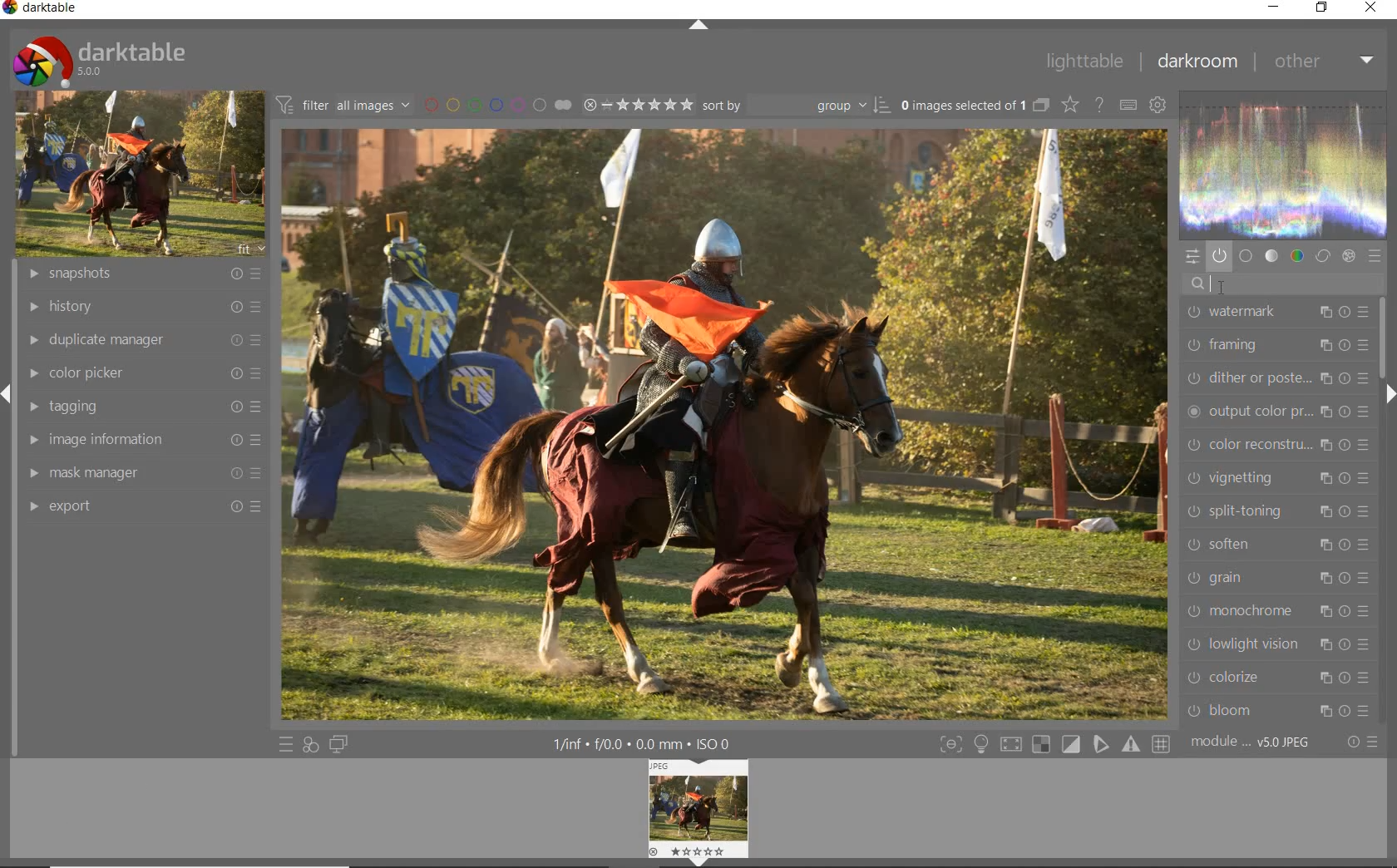 The height and width of the screenshot is (868, 1397). What do you see at coordinates (726, 423) in the screenshot?
I see `selected image` at bounding box center [726, 423].